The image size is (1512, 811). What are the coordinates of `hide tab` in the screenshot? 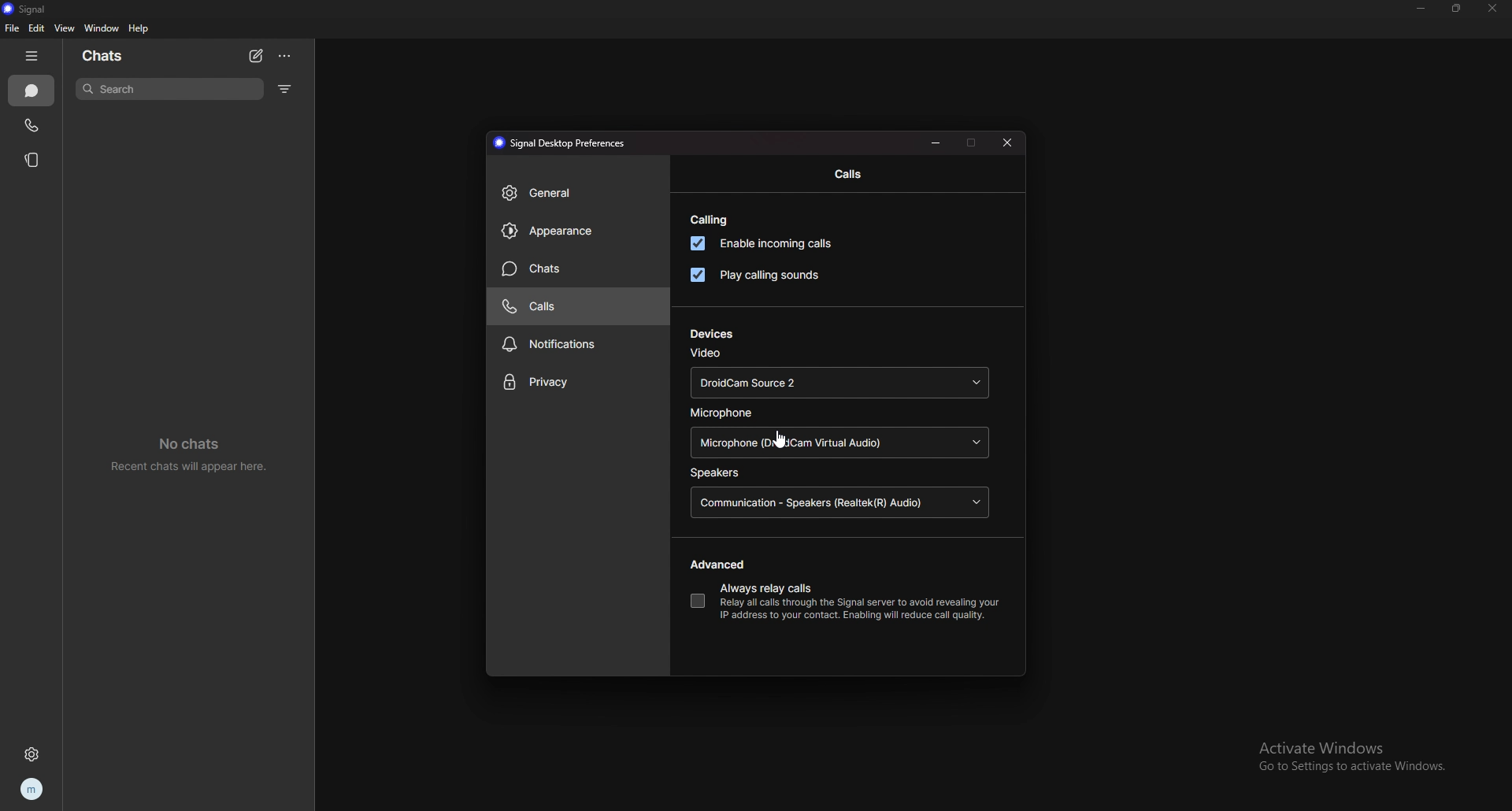 It's located at (35, 56).